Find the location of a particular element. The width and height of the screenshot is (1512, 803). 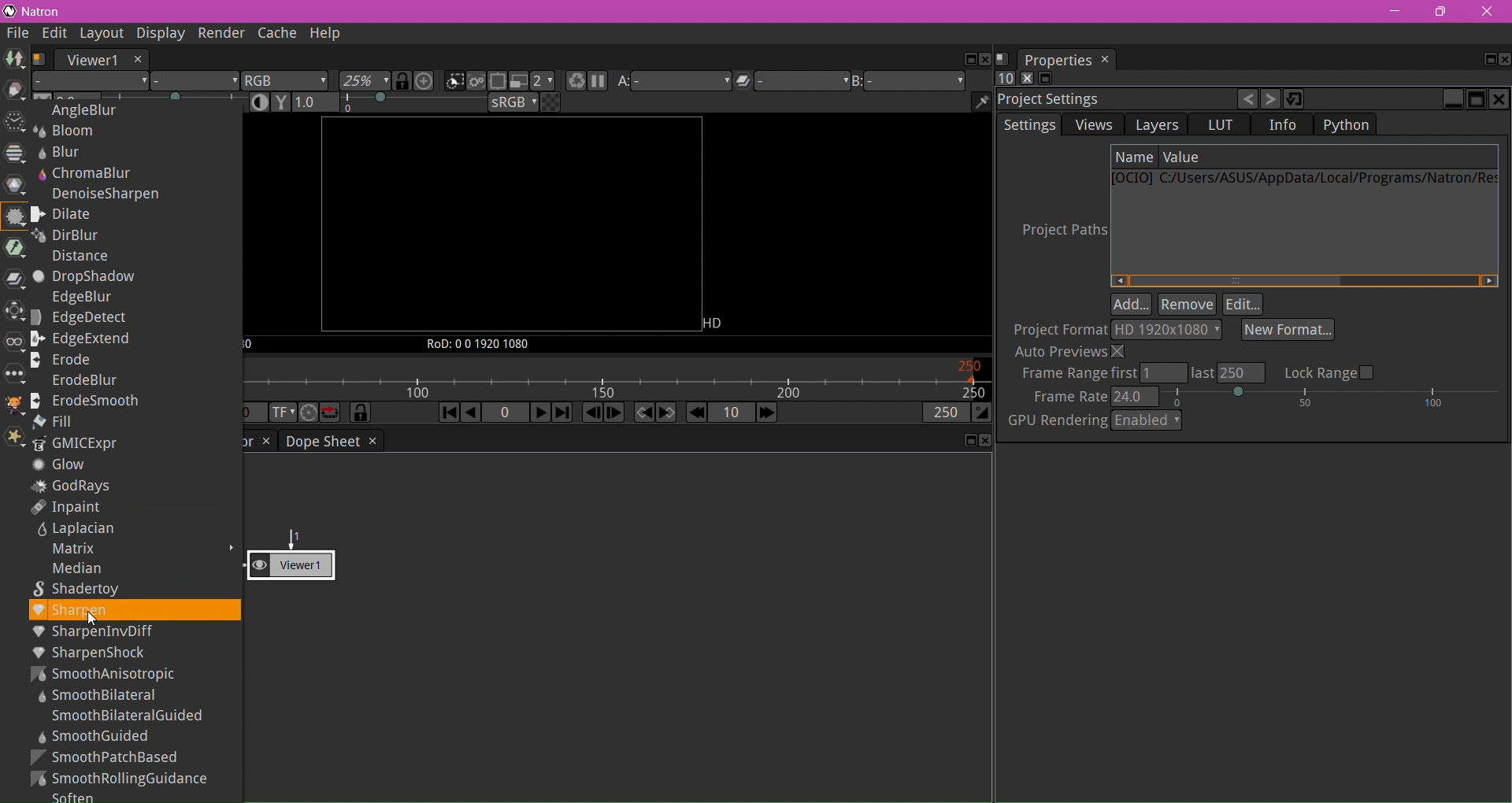

Close pane is located at coordinates (985, 60).